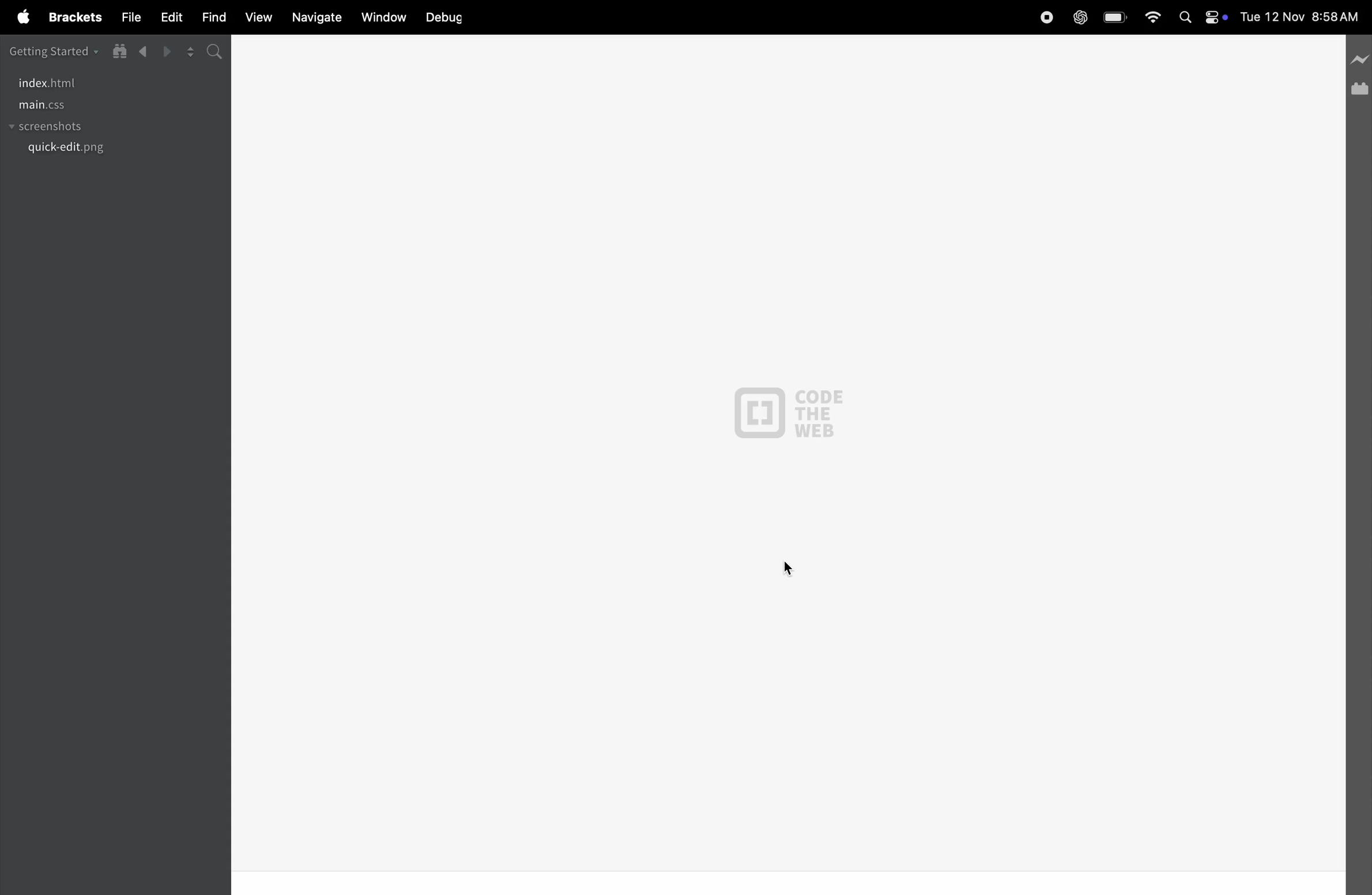 The image size is (1372, 895). What do you see at coordinates (316, 18) in the screenshot?
I see `navigate` at bounding box center [316, 18].